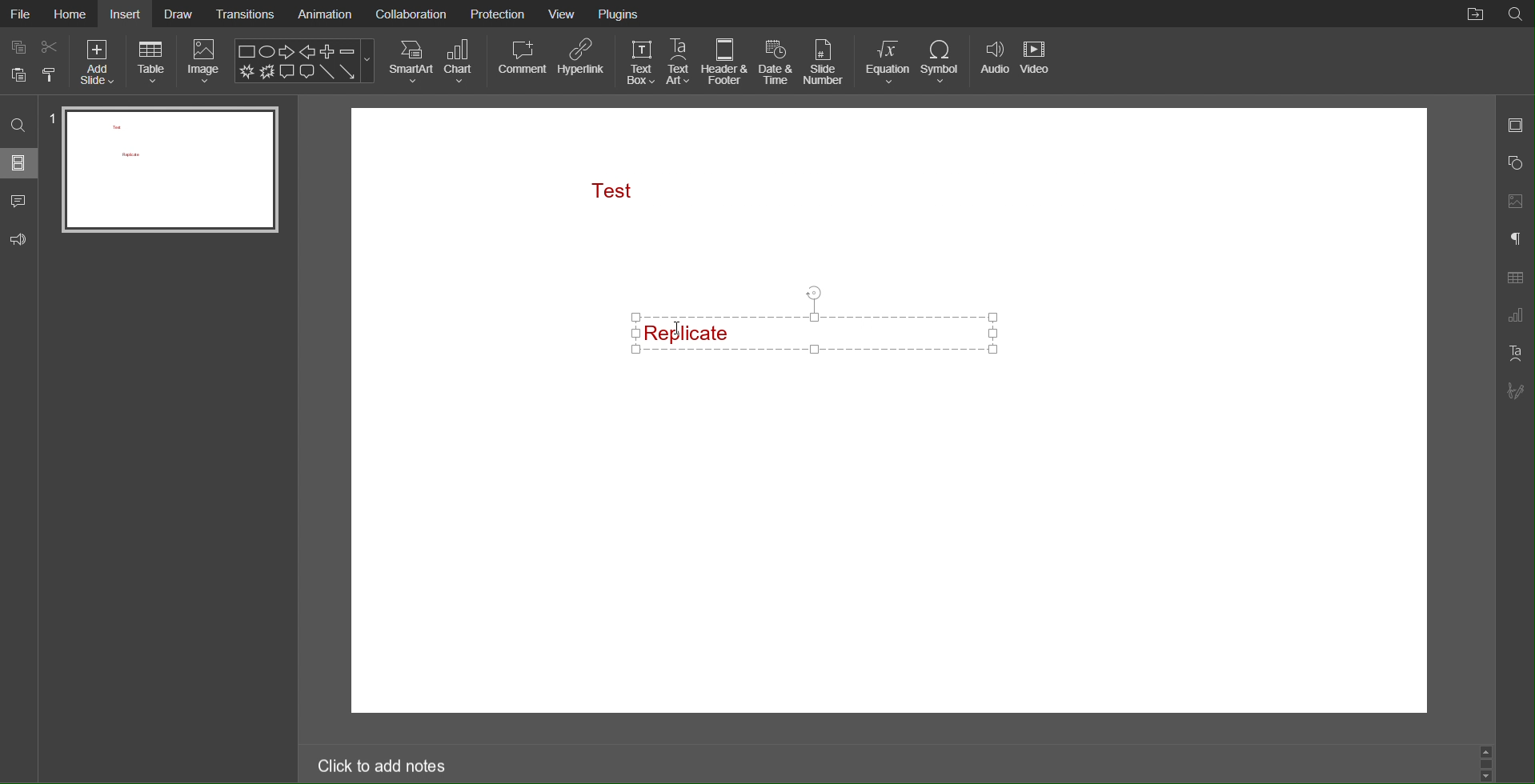 This screenshot has width=1535, height=784. I want to click on Symbol, so click(943, 62).